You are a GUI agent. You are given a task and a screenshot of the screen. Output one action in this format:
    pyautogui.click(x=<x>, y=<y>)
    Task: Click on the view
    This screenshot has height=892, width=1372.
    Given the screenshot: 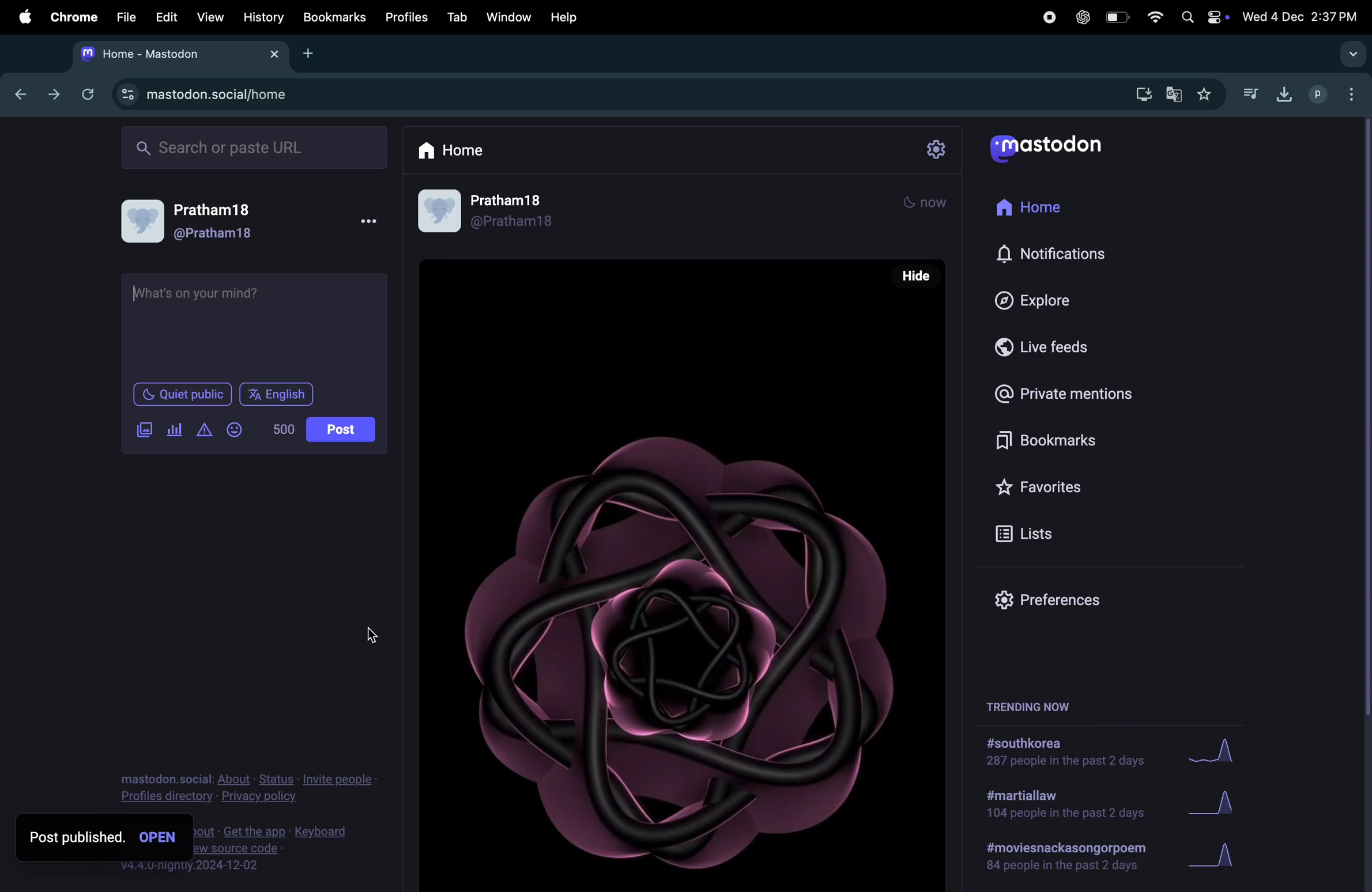 What is the action you would take?
    pyautogui.click(x=209, y=17)
    